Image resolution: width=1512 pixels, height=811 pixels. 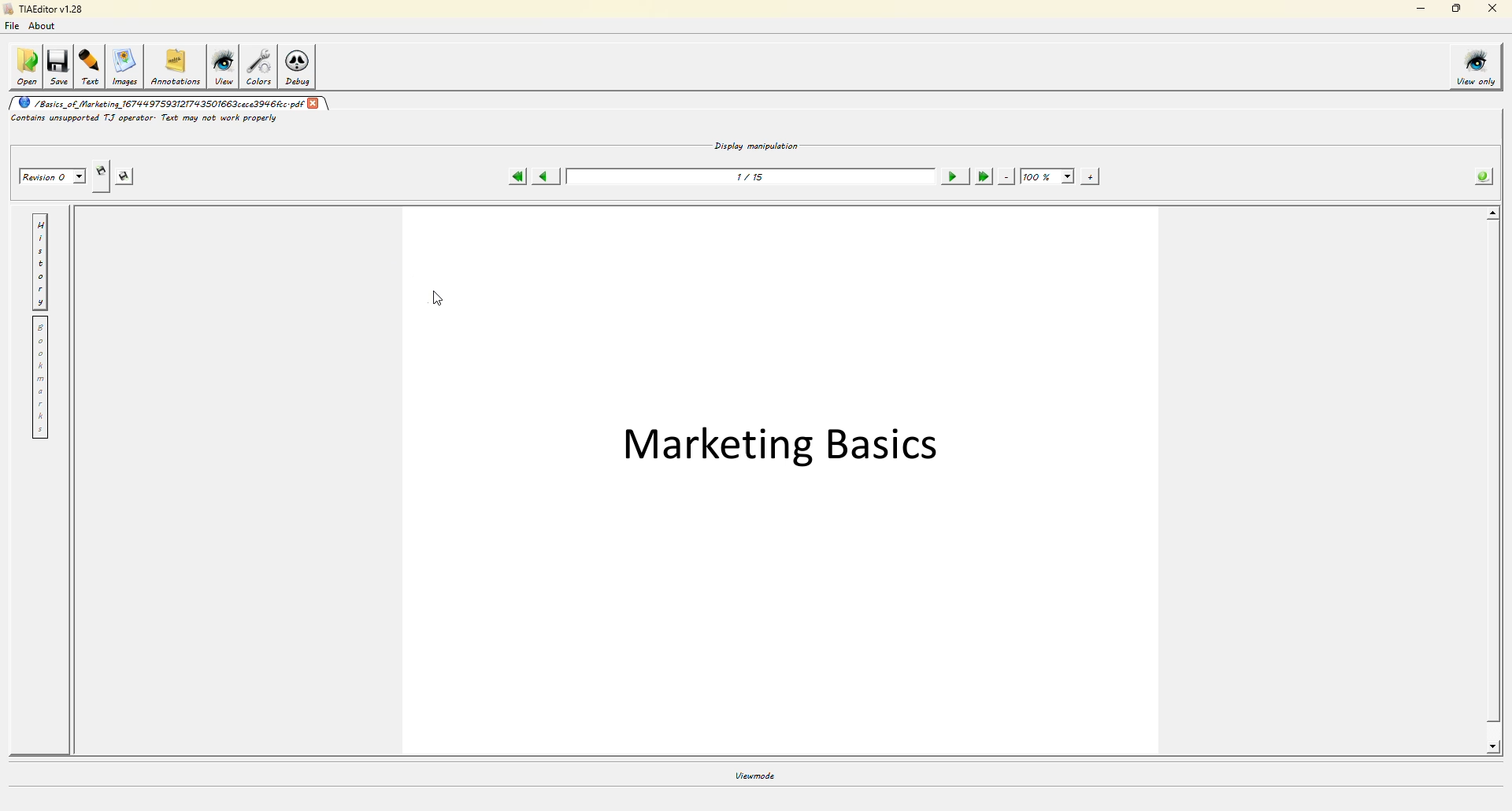 What do you see at coordinates (1455, 9) in the screenshot?
I see `maximize` at bounding box center [1455, 9].